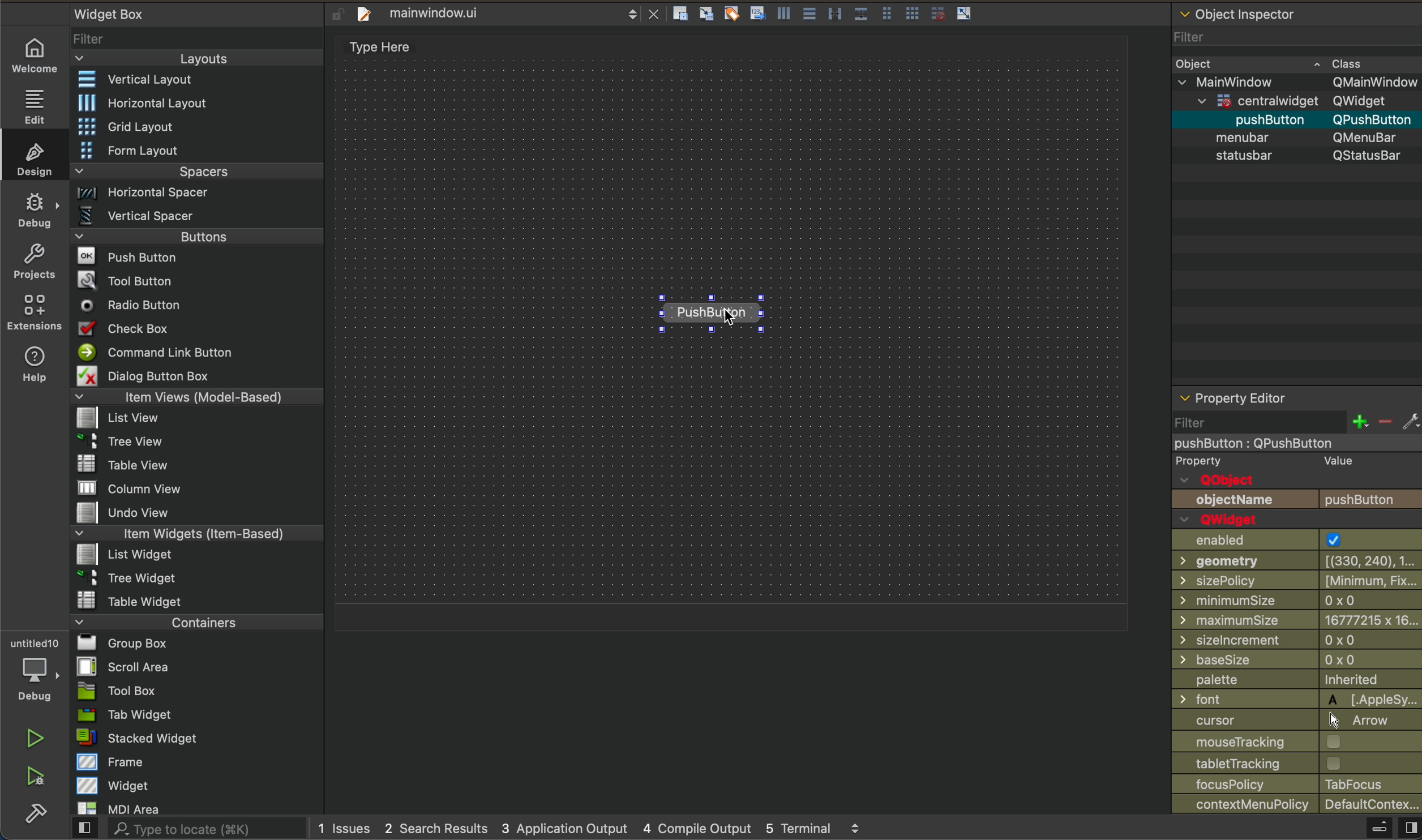 The image size is (1422, 840). I want to click on item widgets, so click(194, 535).